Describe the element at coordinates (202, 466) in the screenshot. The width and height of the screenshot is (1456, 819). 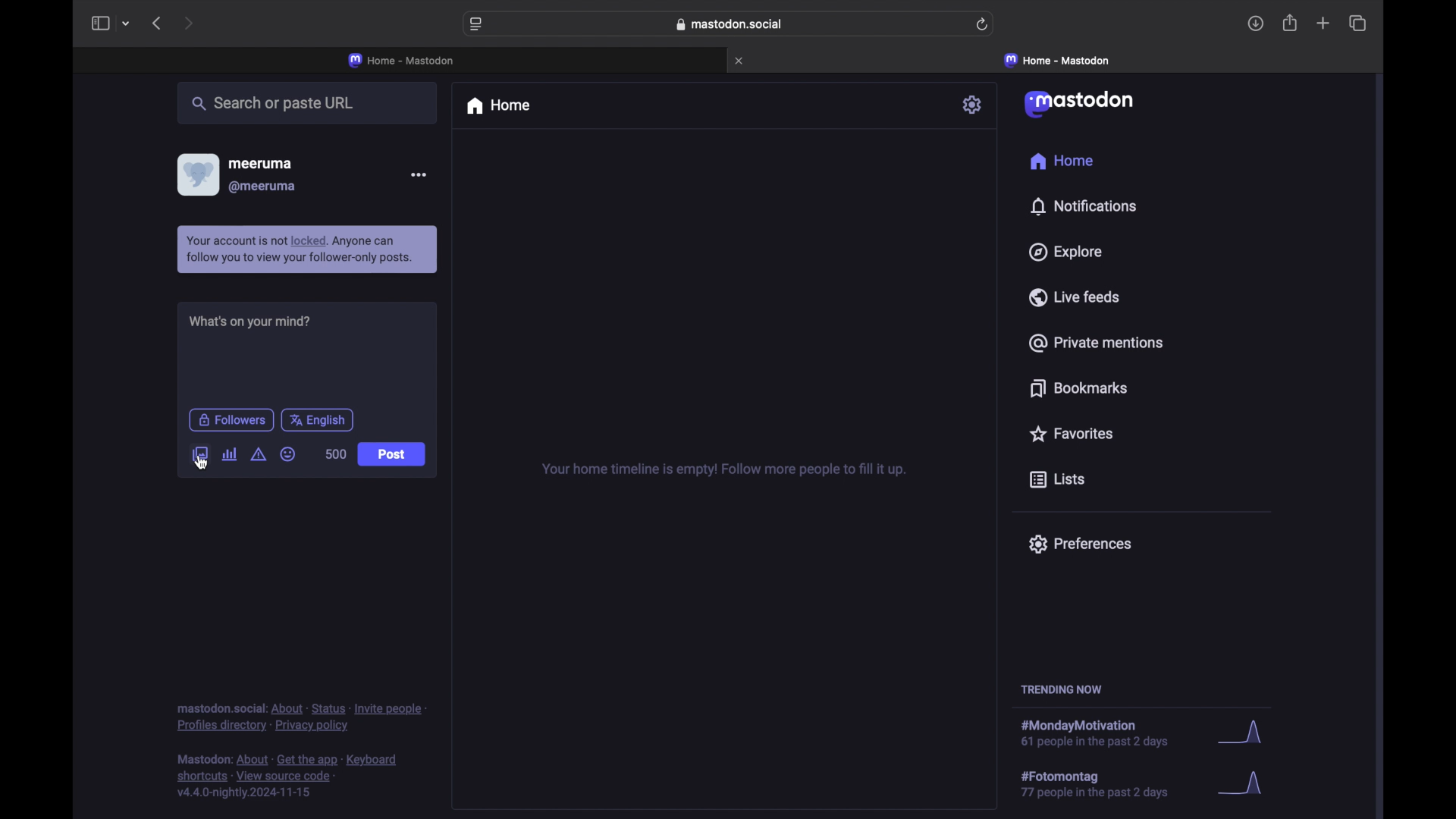
I see `cursor` at that location.